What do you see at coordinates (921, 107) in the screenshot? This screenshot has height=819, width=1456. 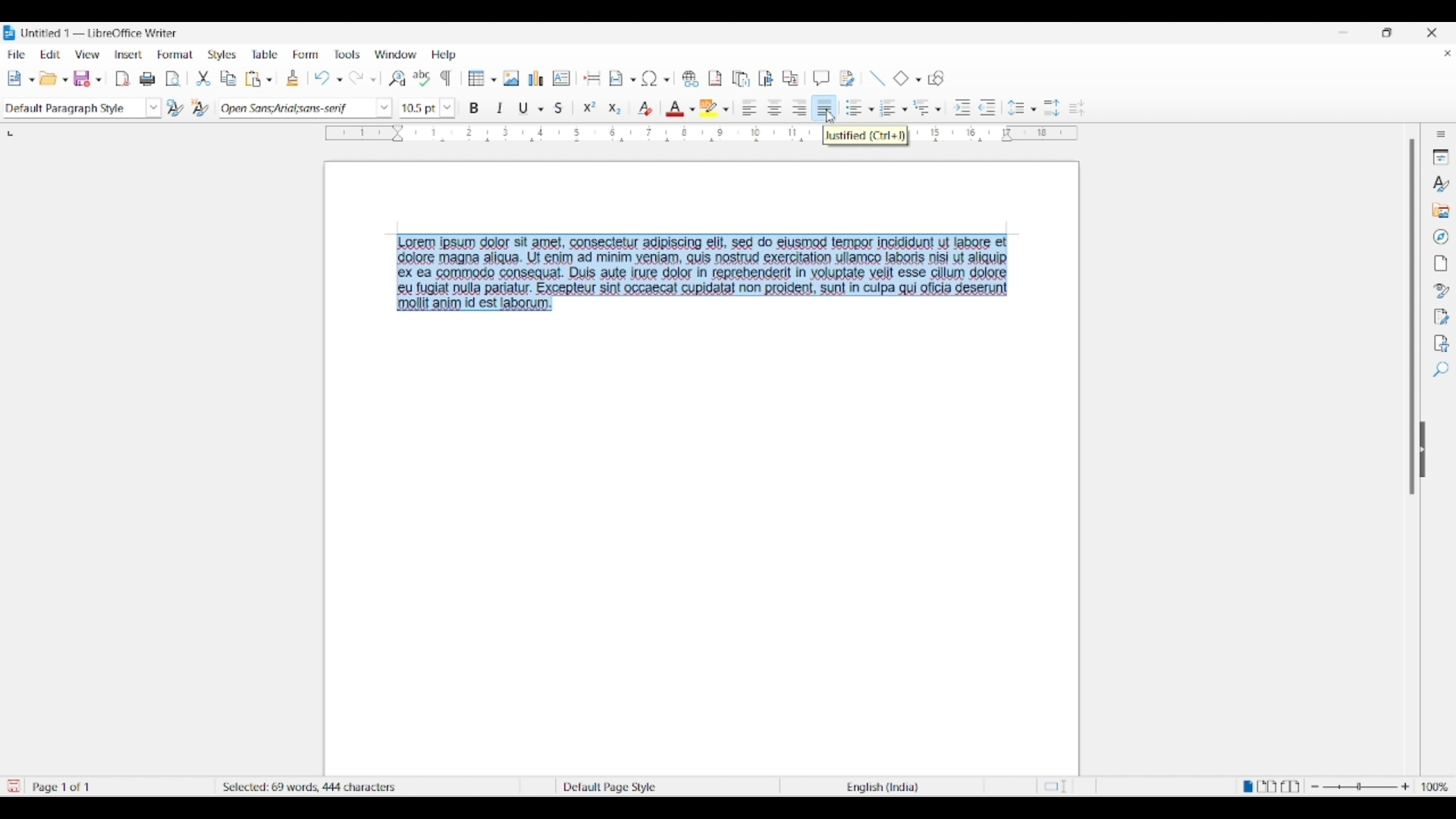 I see `Selected outline format` at bounding box center [921, 107].